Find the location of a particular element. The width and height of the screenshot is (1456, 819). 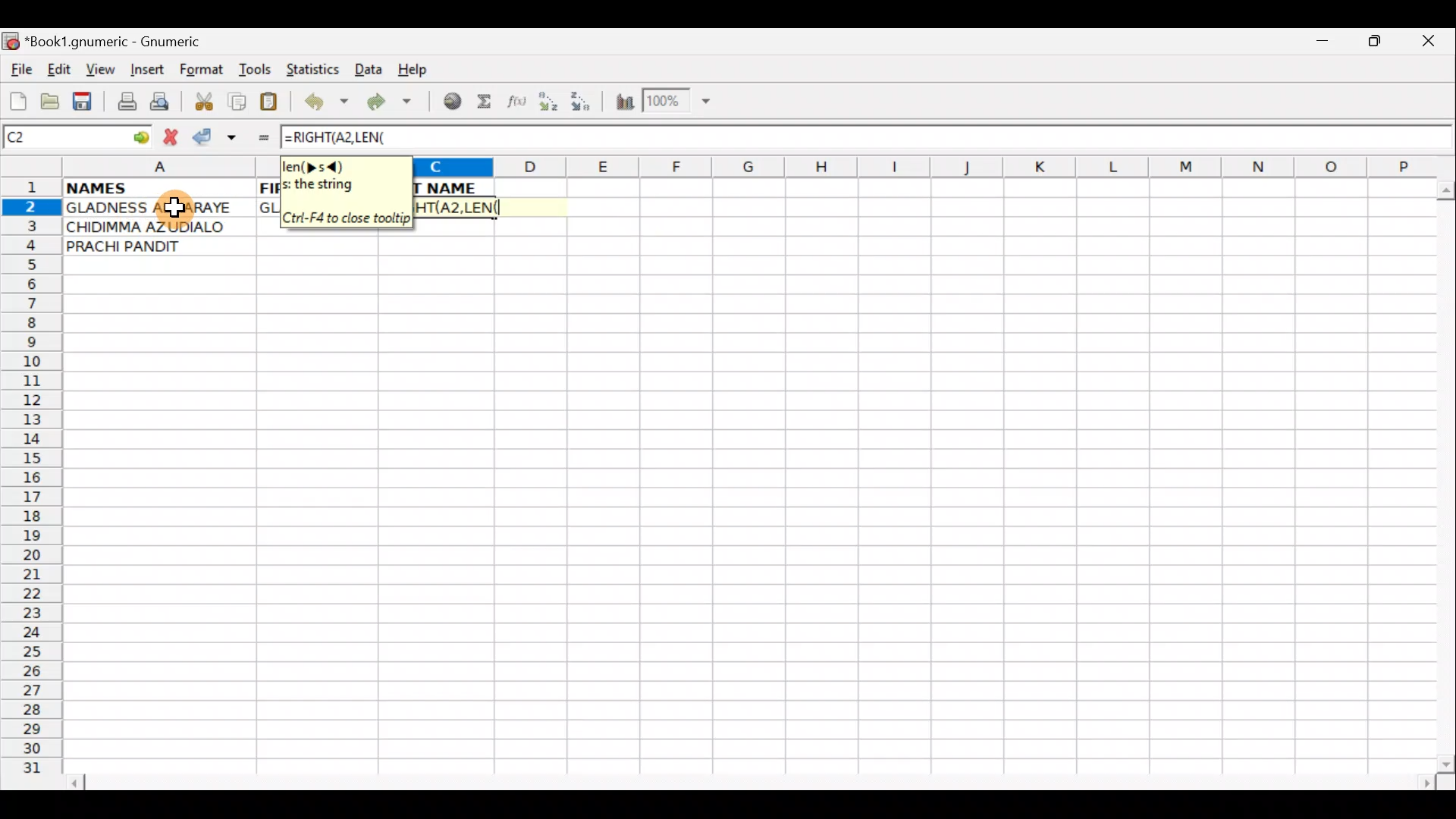

Minimize is located at coordinates (1319, 45).